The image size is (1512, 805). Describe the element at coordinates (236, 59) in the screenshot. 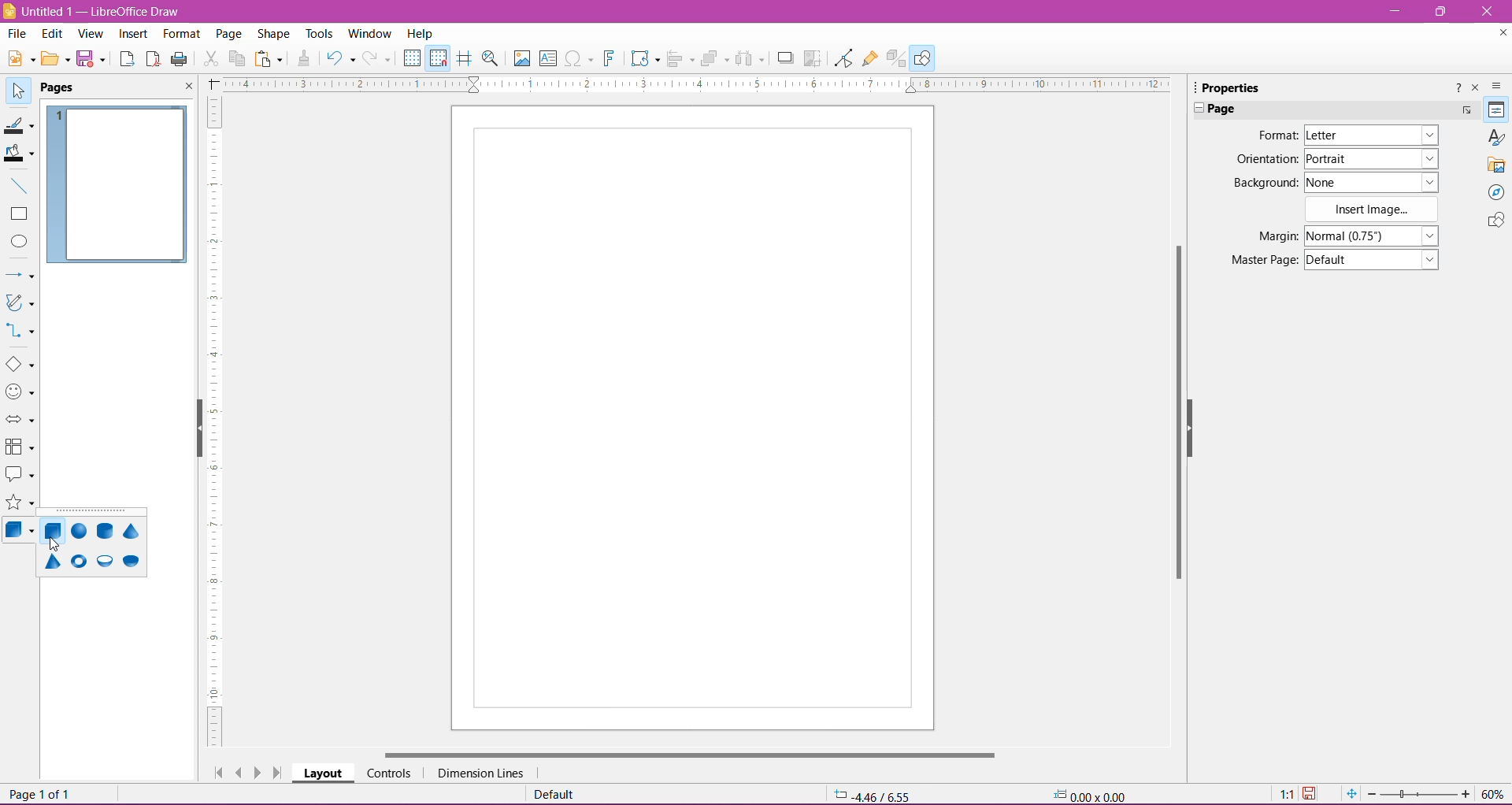

I see `Copy` at that location.